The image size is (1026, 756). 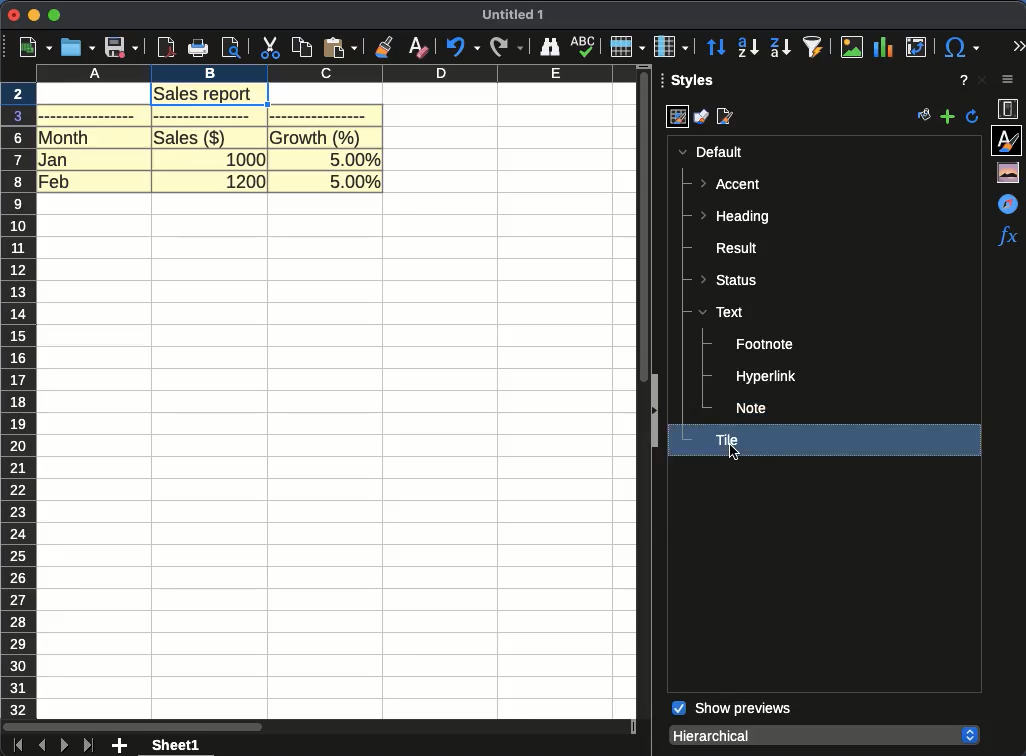 What do you see at coordinates (121, 746) in the screenshot?
I see `add` at bounding box center [121, 746].